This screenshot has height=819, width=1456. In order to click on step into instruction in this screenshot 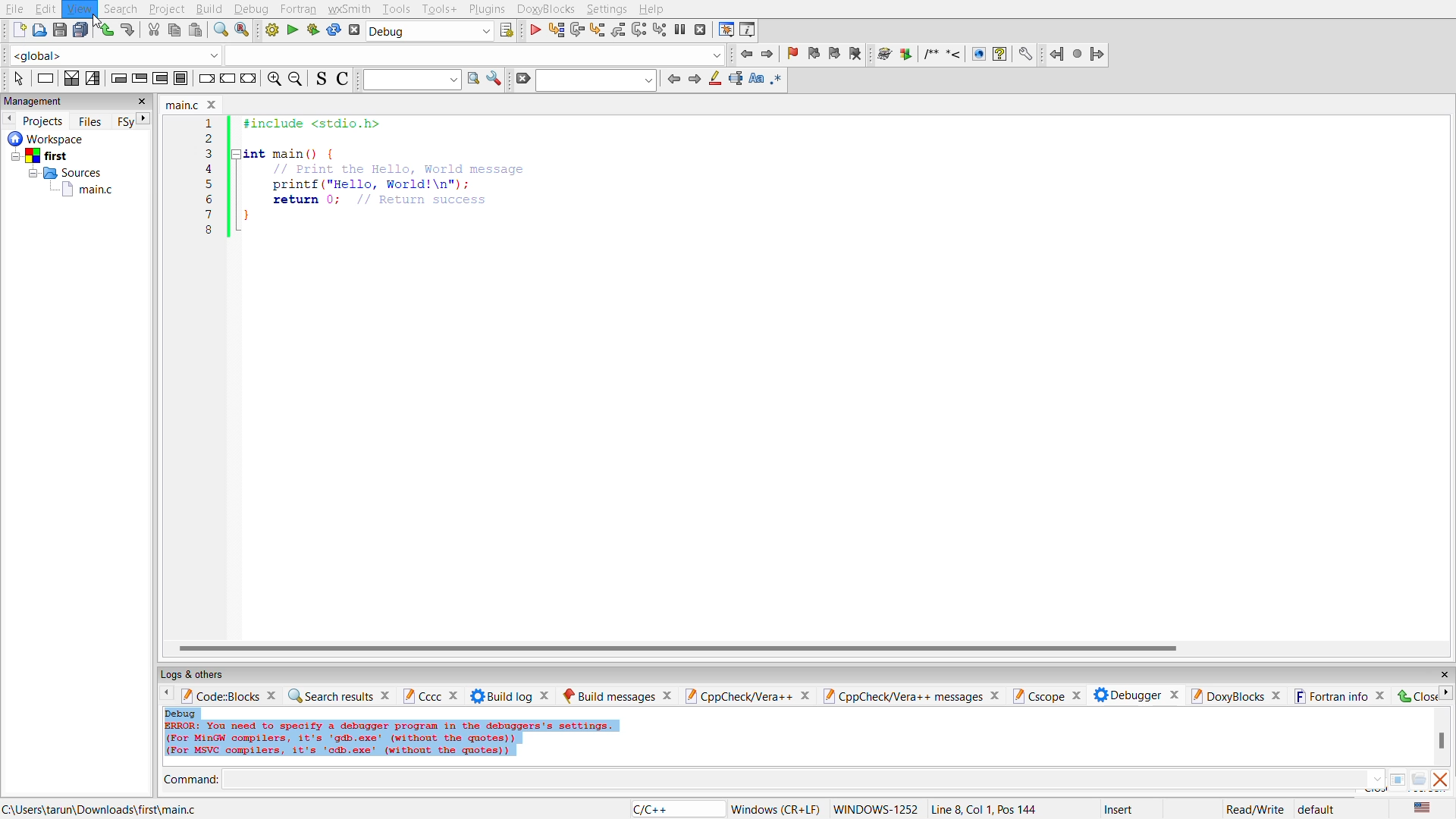, I will do `click(659, 31)`.